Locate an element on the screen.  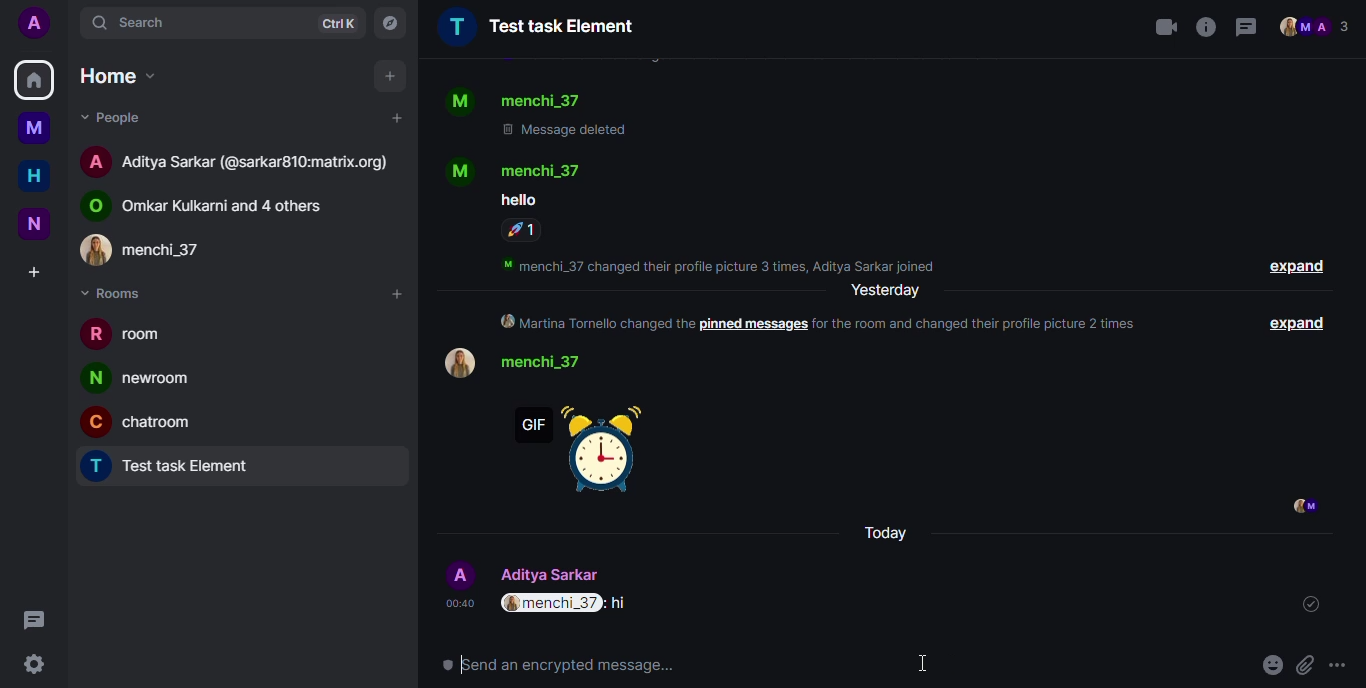
create space is located at coordinates (32, 273).